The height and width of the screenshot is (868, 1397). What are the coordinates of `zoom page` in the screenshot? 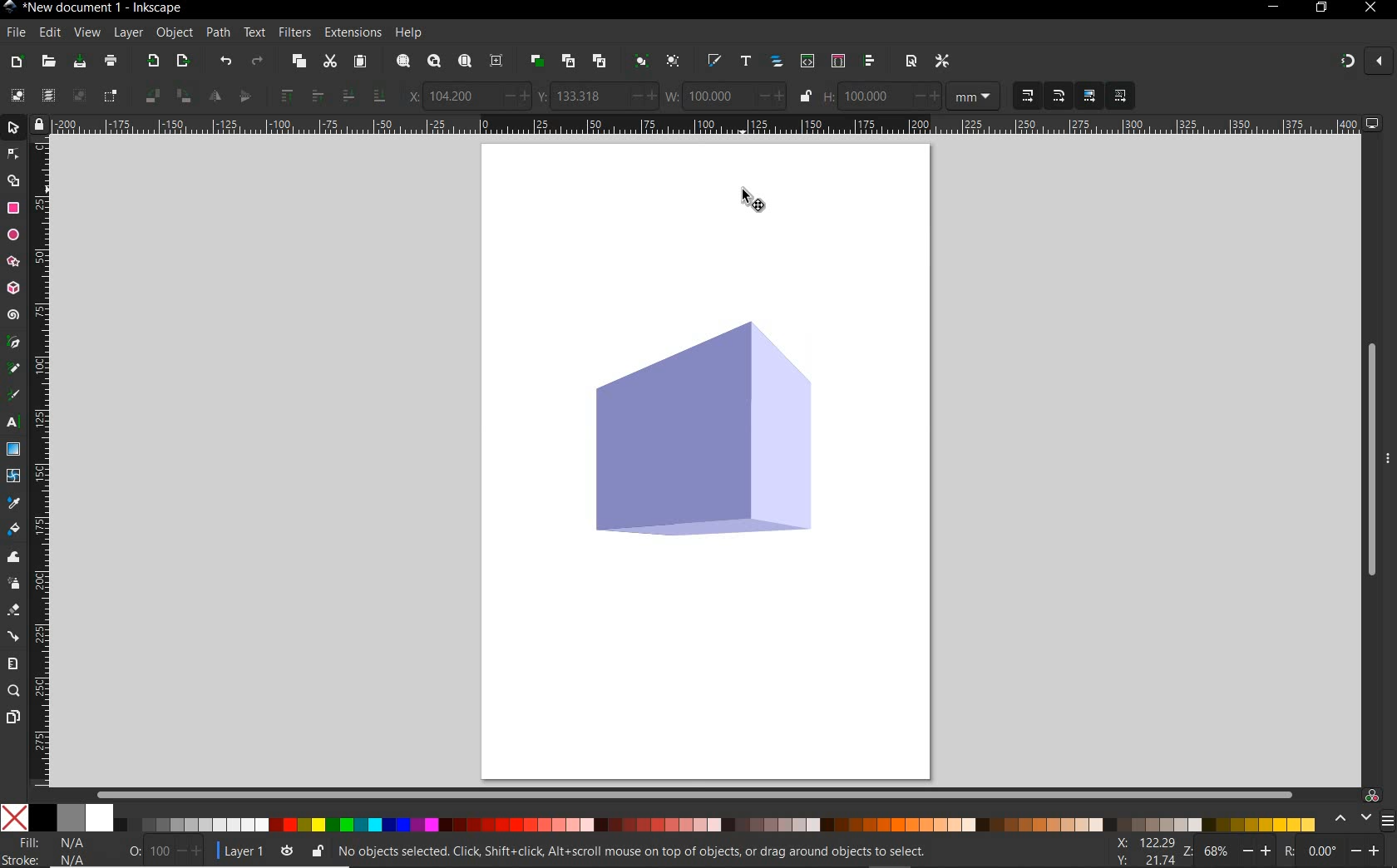 It's located at (464, 60).